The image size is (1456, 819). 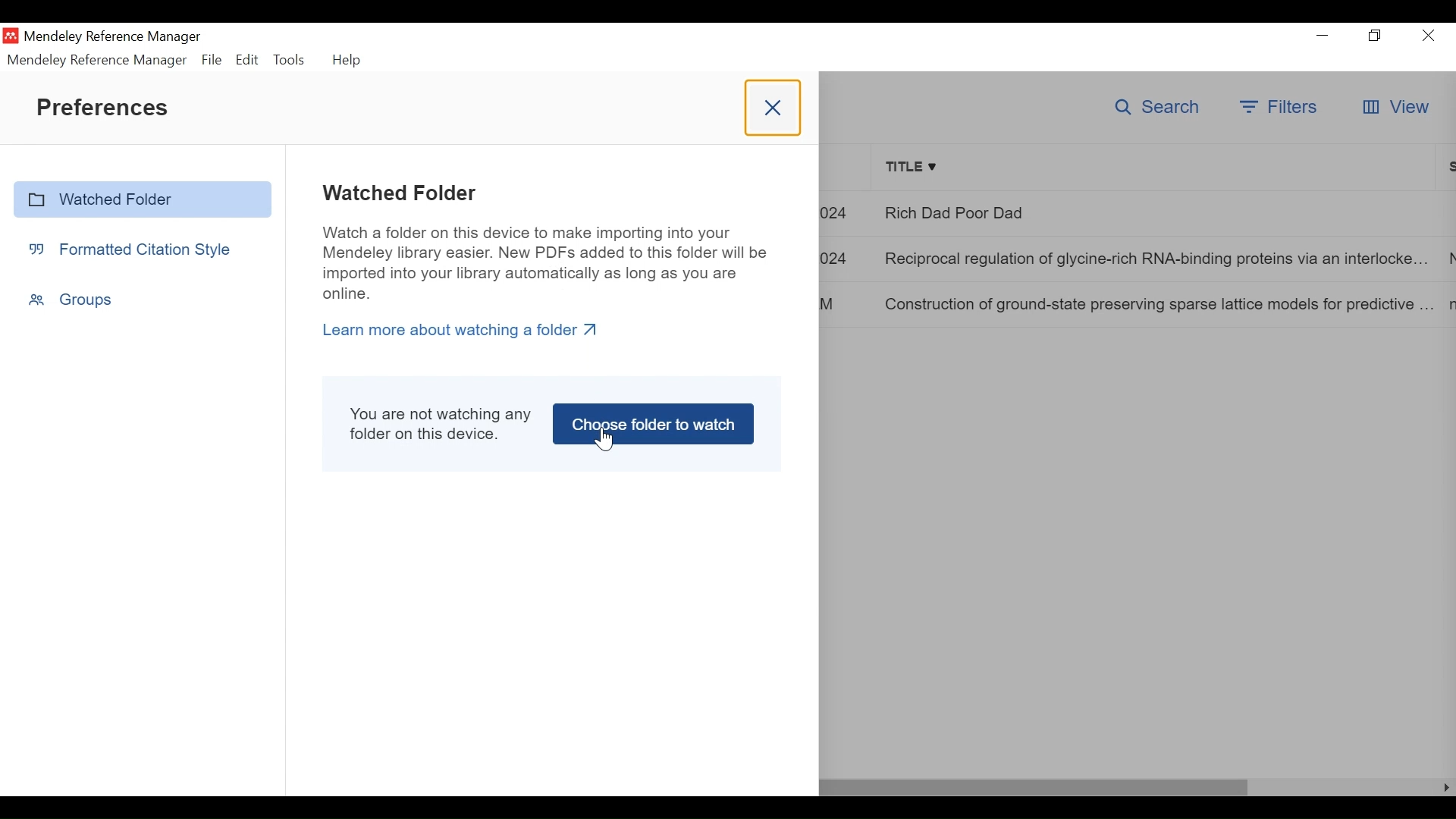 What do you see at coordinates (652, 424) in the screenshot?
I see `Choose folder to watch` at bounding box center [652, 424].